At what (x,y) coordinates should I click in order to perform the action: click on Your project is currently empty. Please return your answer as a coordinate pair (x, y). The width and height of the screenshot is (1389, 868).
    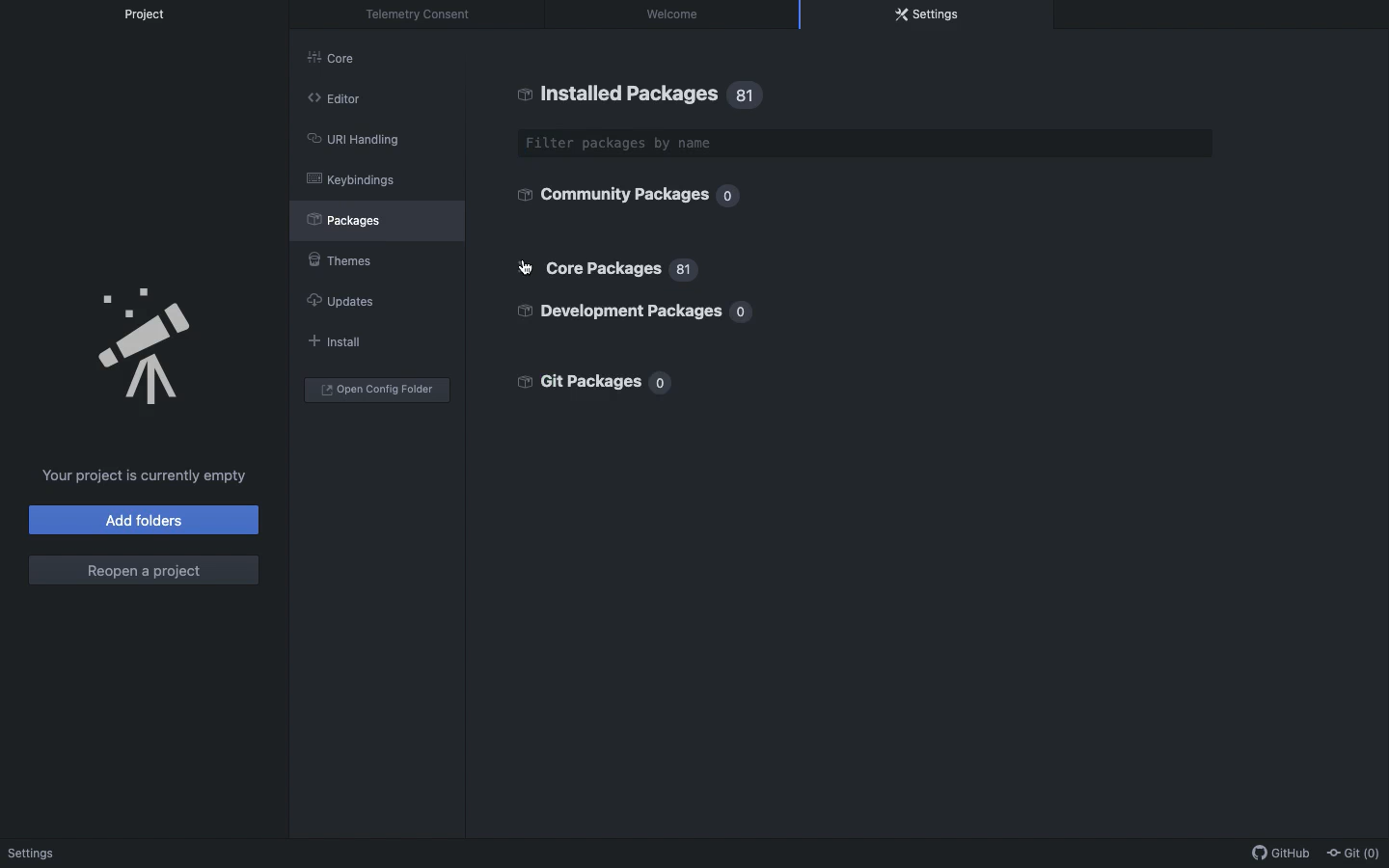
    Looking at the image, I should click on (146, 475).